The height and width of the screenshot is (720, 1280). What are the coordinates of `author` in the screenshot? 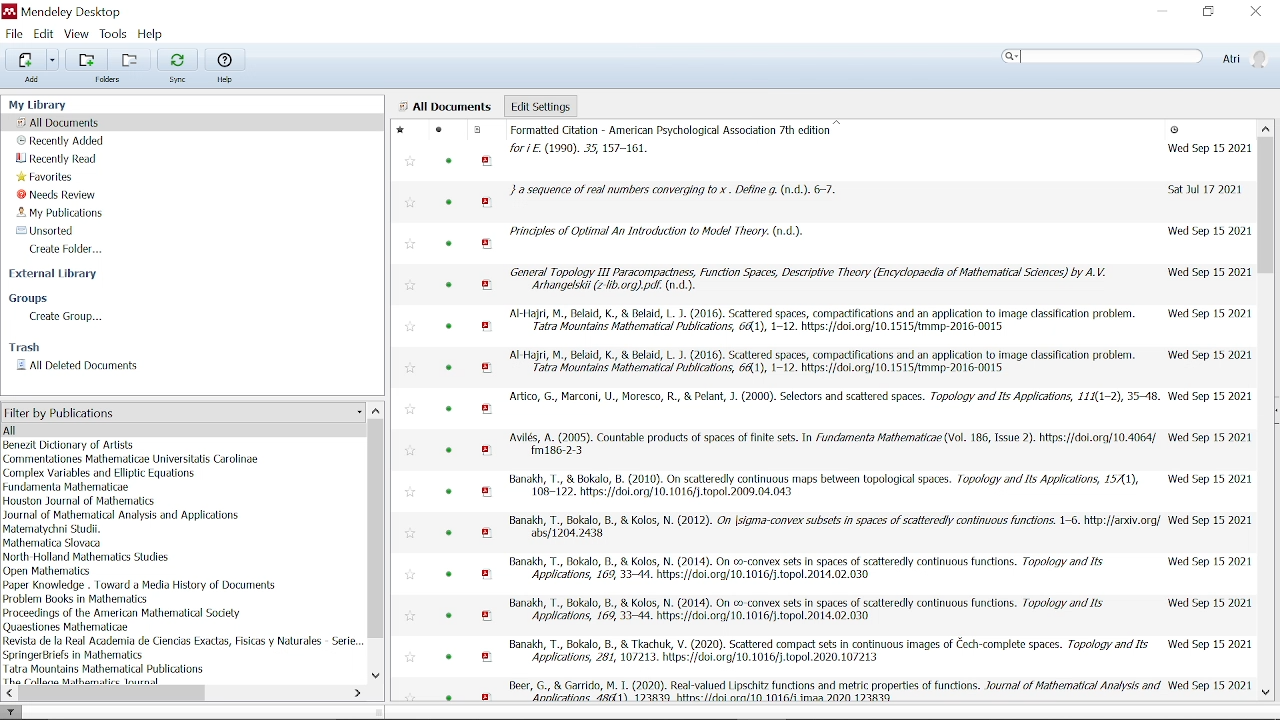 It's located at (75, 655).